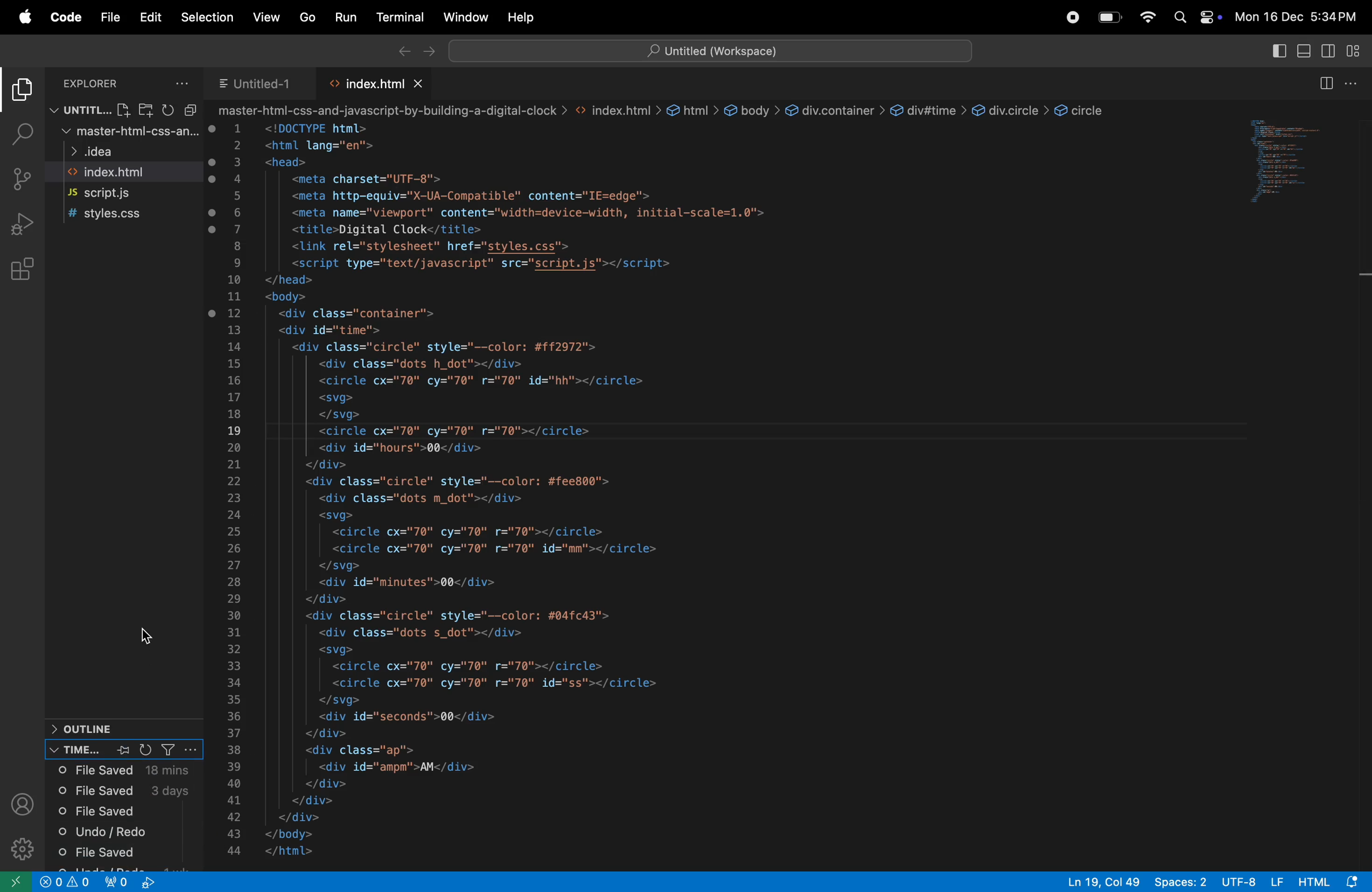 This screenshot has height=892, width=1372. Describe the element at coordinates (24, 271) in the screenshot. I see `extensions` at that location.